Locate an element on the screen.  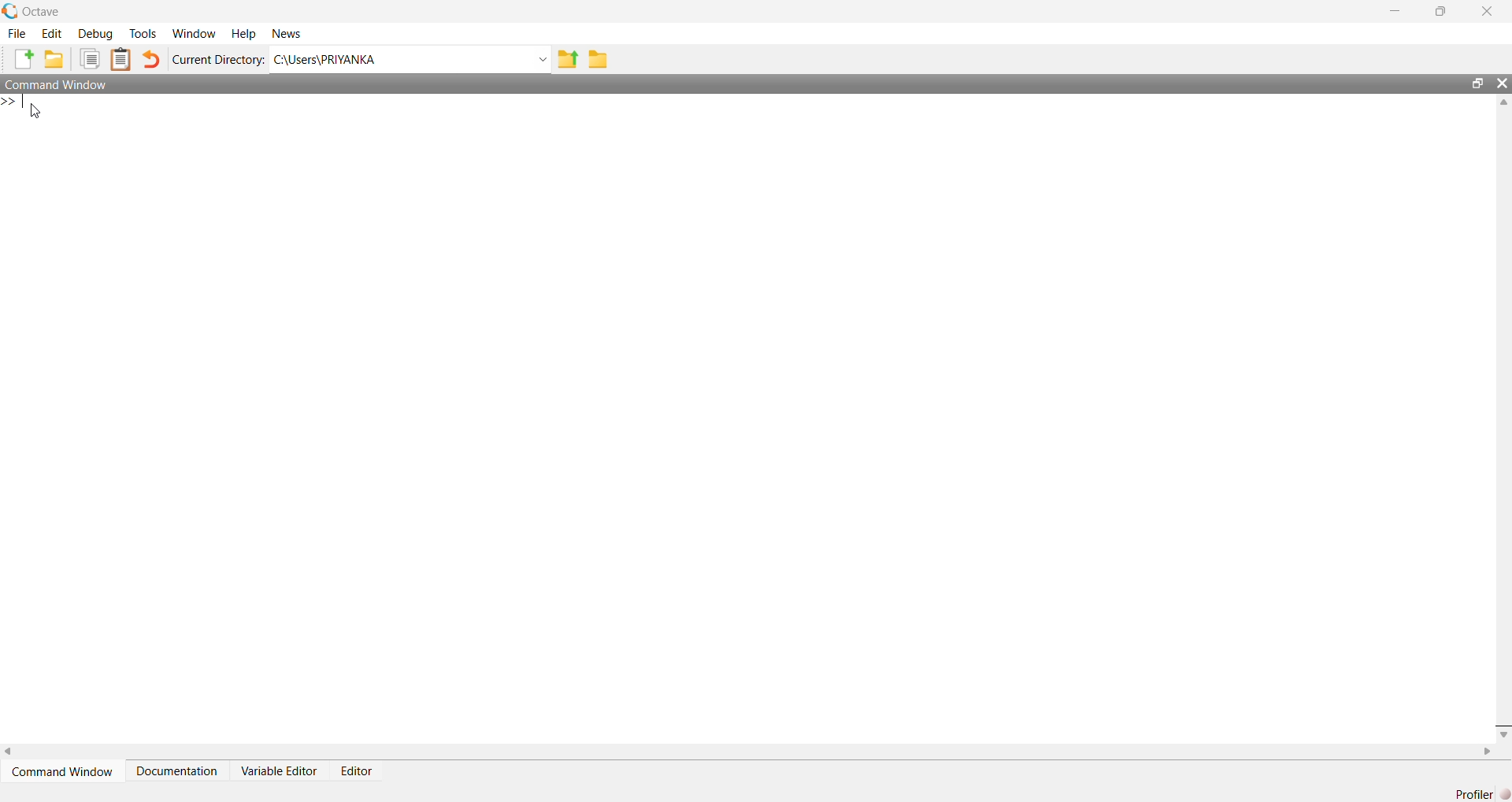
add file is located at coordinates (25, 60).